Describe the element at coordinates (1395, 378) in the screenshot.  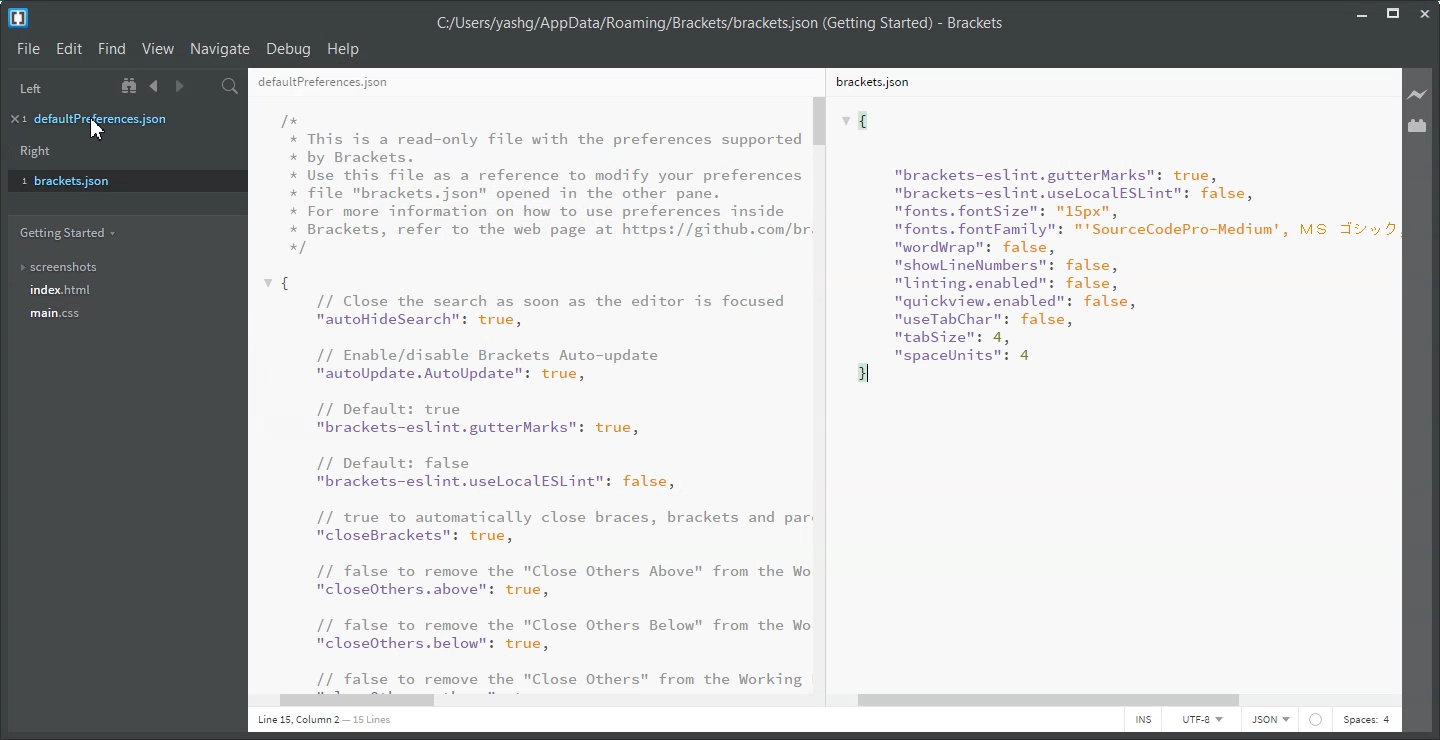
I see `Vertical scroll bar` at that location.